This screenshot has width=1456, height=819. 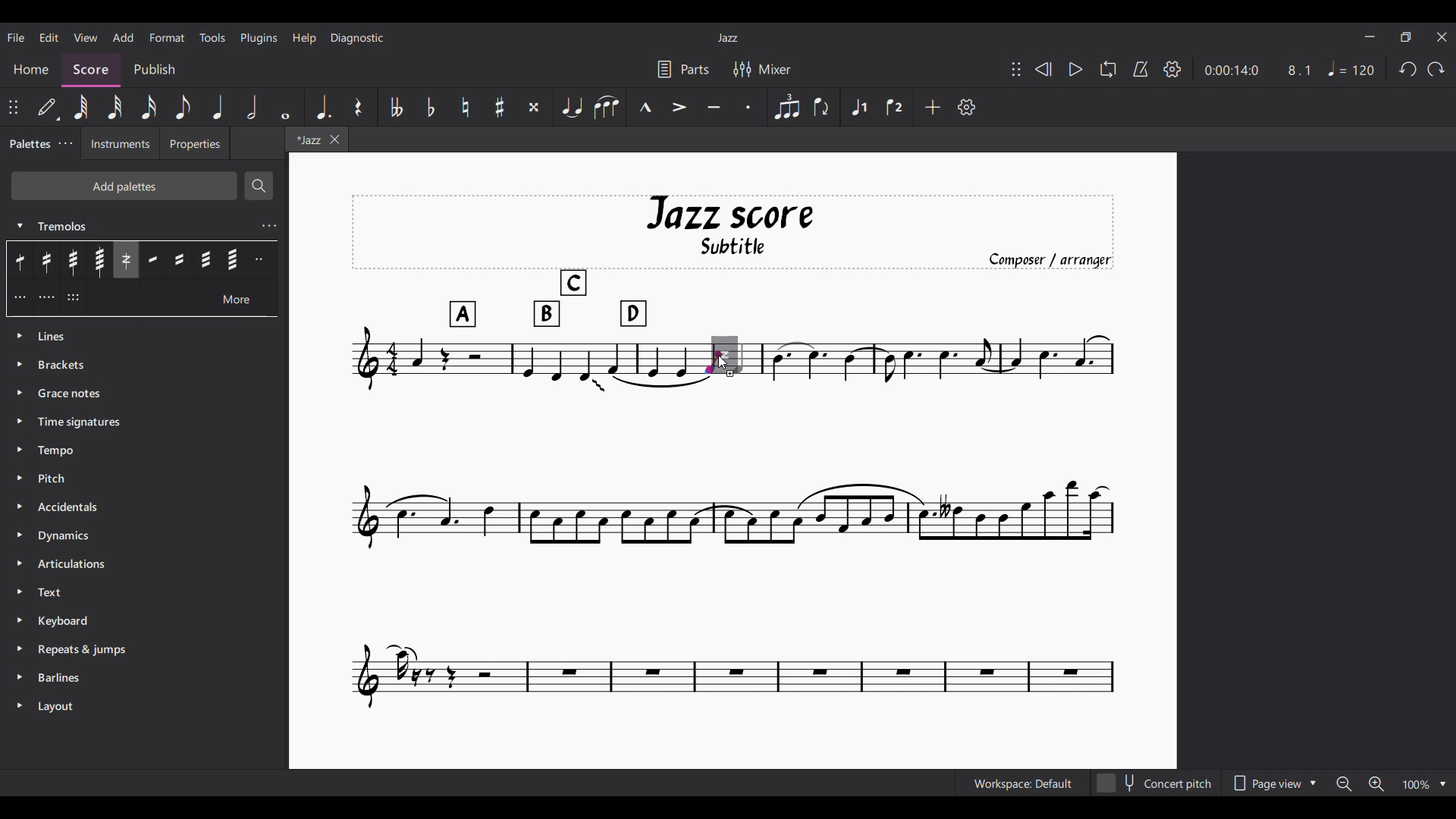 I want to click on 16th between notes, so click(x=179, y=259).